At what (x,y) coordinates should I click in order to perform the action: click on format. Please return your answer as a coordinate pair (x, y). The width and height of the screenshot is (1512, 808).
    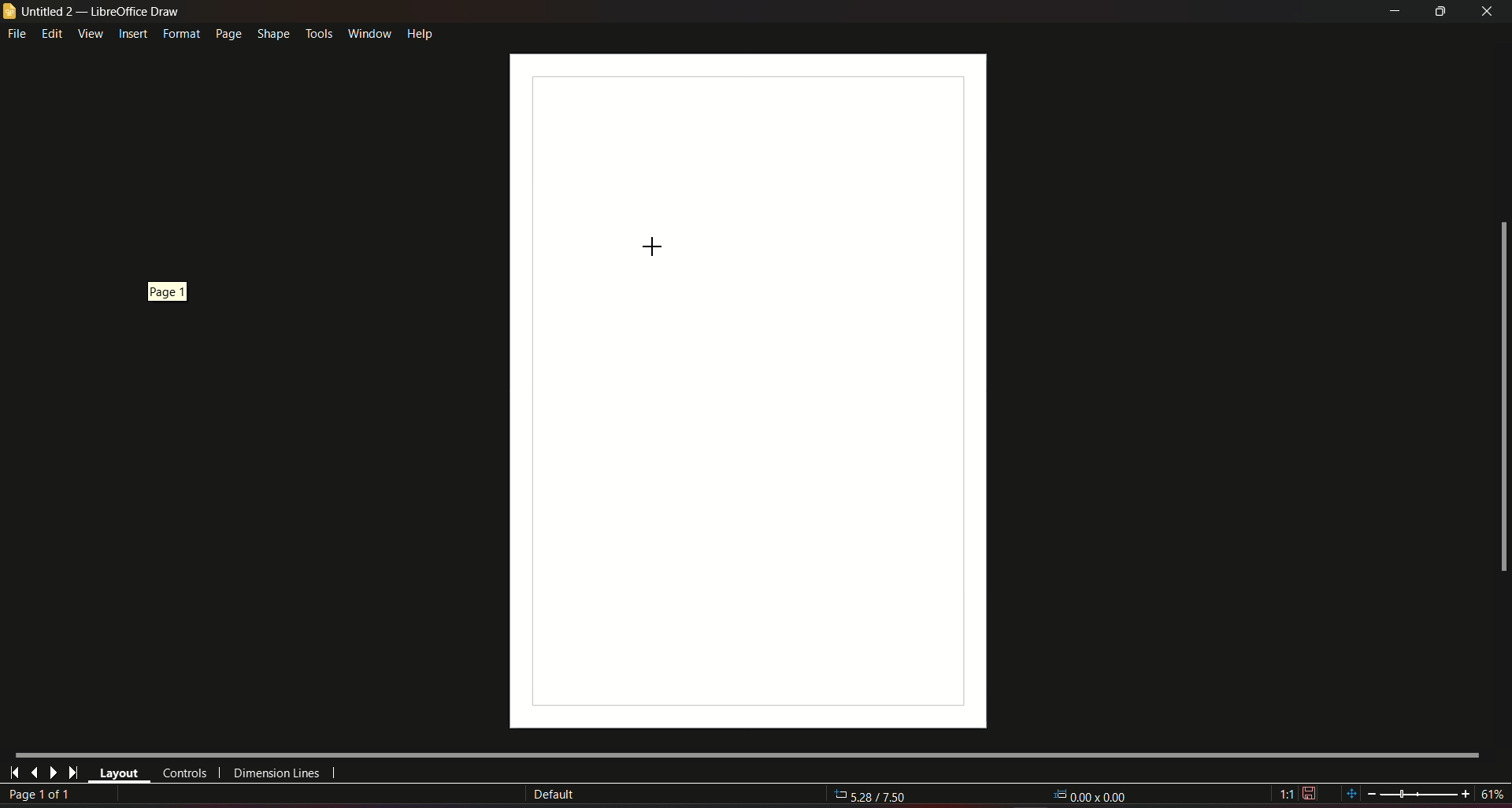
    Looking at the image, I should click on (180, 34).